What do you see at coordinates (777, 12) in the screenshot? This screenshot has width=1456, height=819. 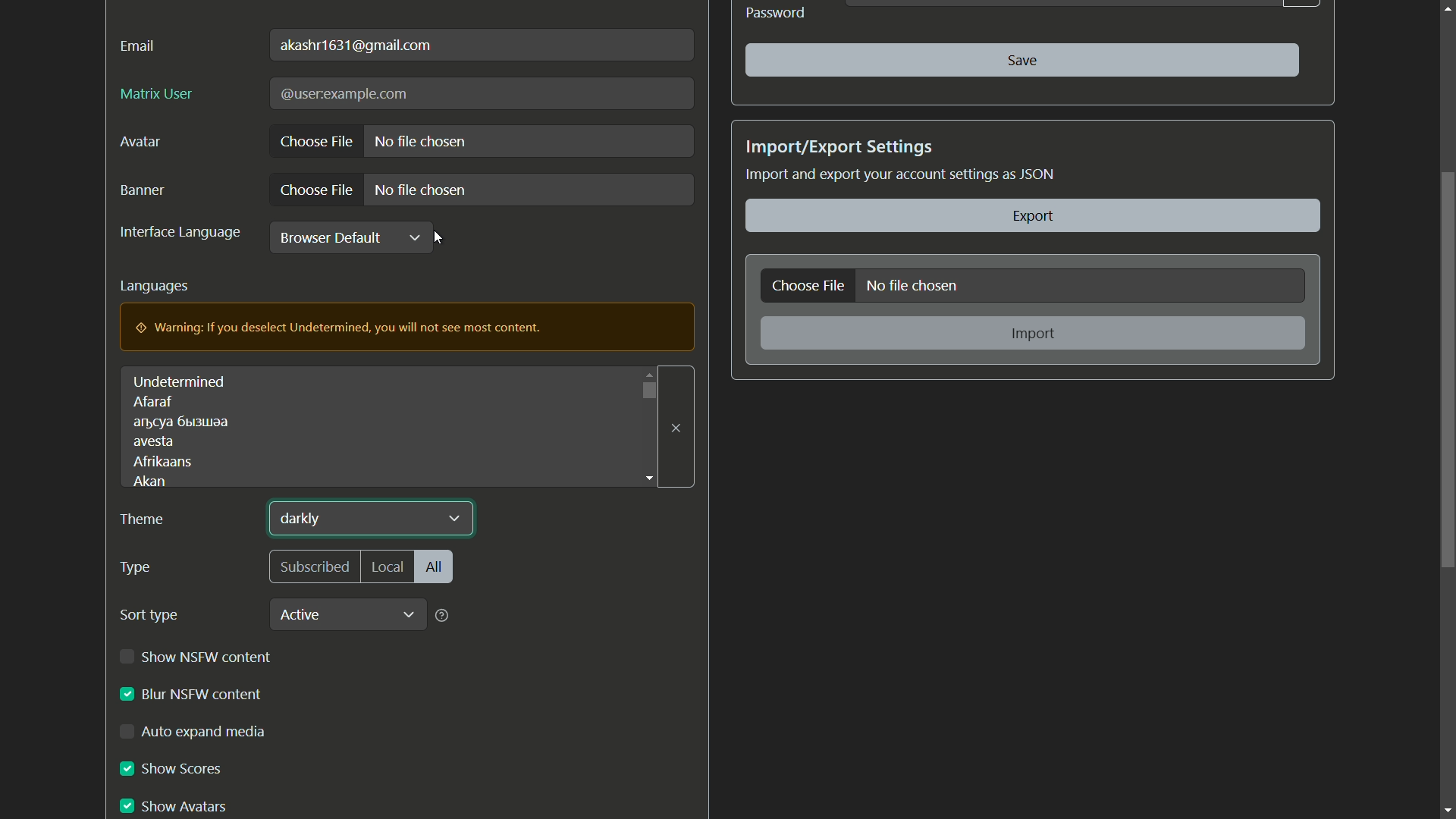 I see `Password` at bounding box center [777, 12].